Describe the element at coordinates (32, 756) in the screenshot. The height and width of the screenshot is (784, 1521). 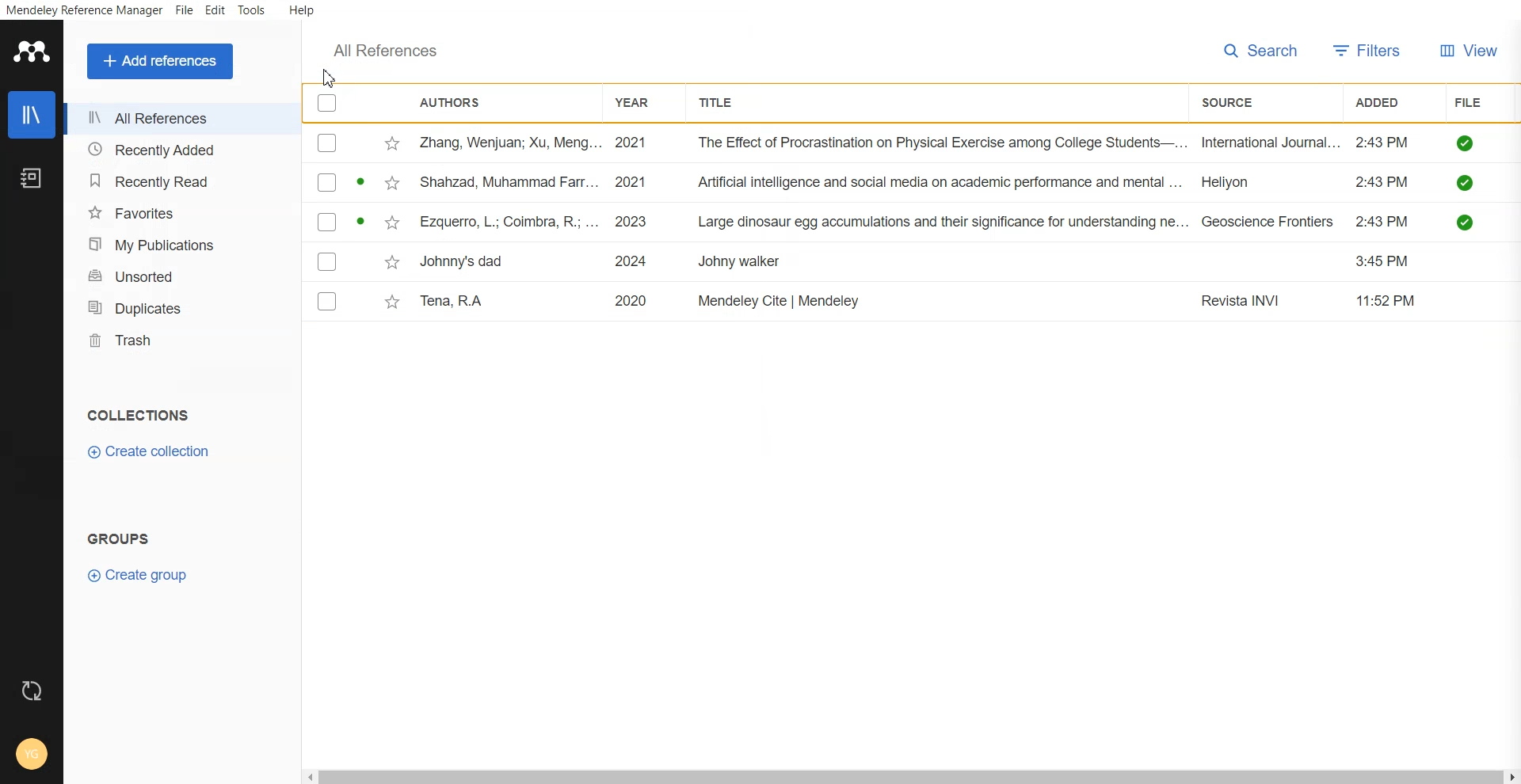
I see `Account` at that location.